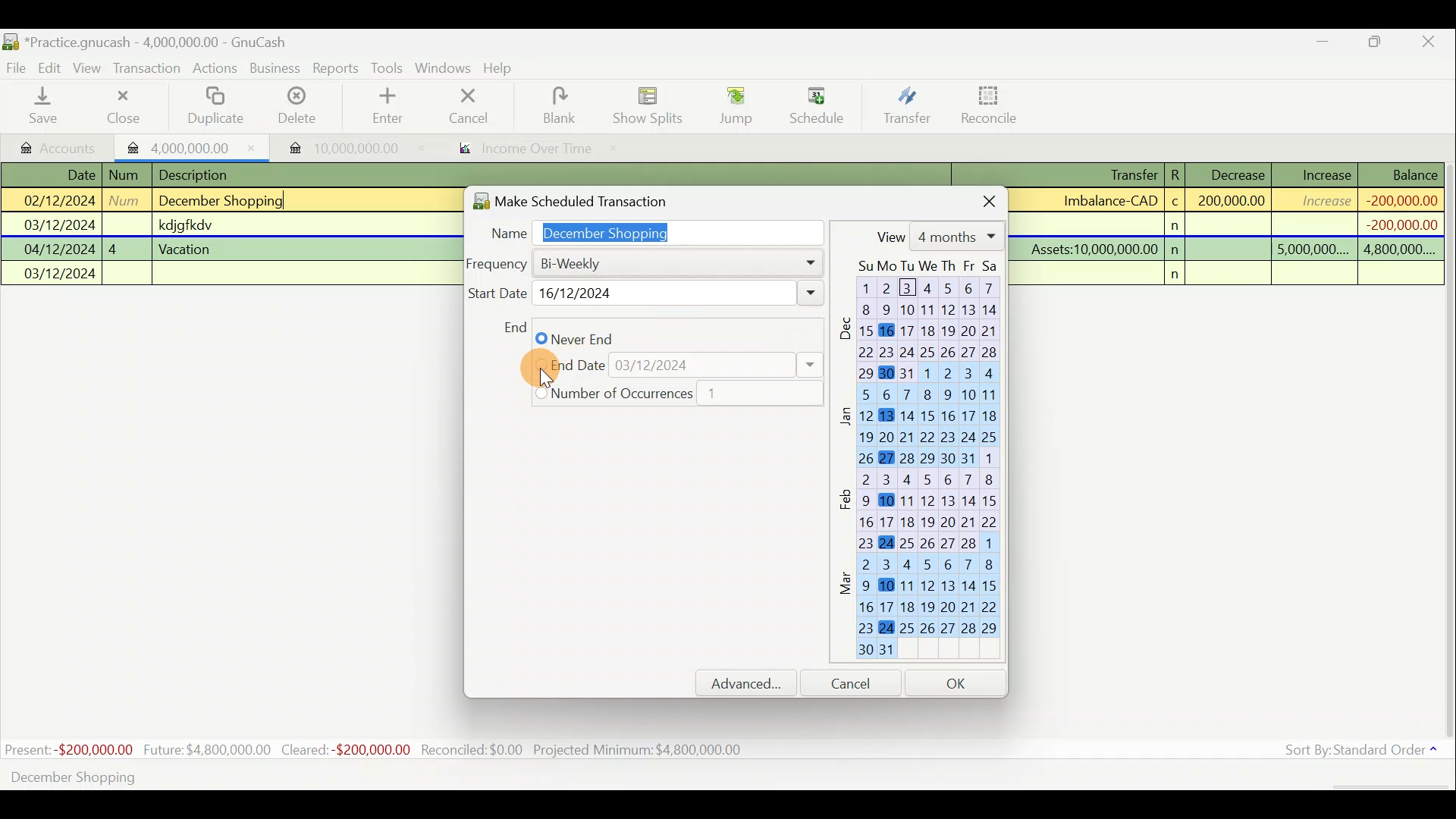 This screenshot has width=1456, height=819. What do you see at coordinates (339, 148) in the screenshot?
I see `Imported transaction 2` at bounding box center [339, 148].